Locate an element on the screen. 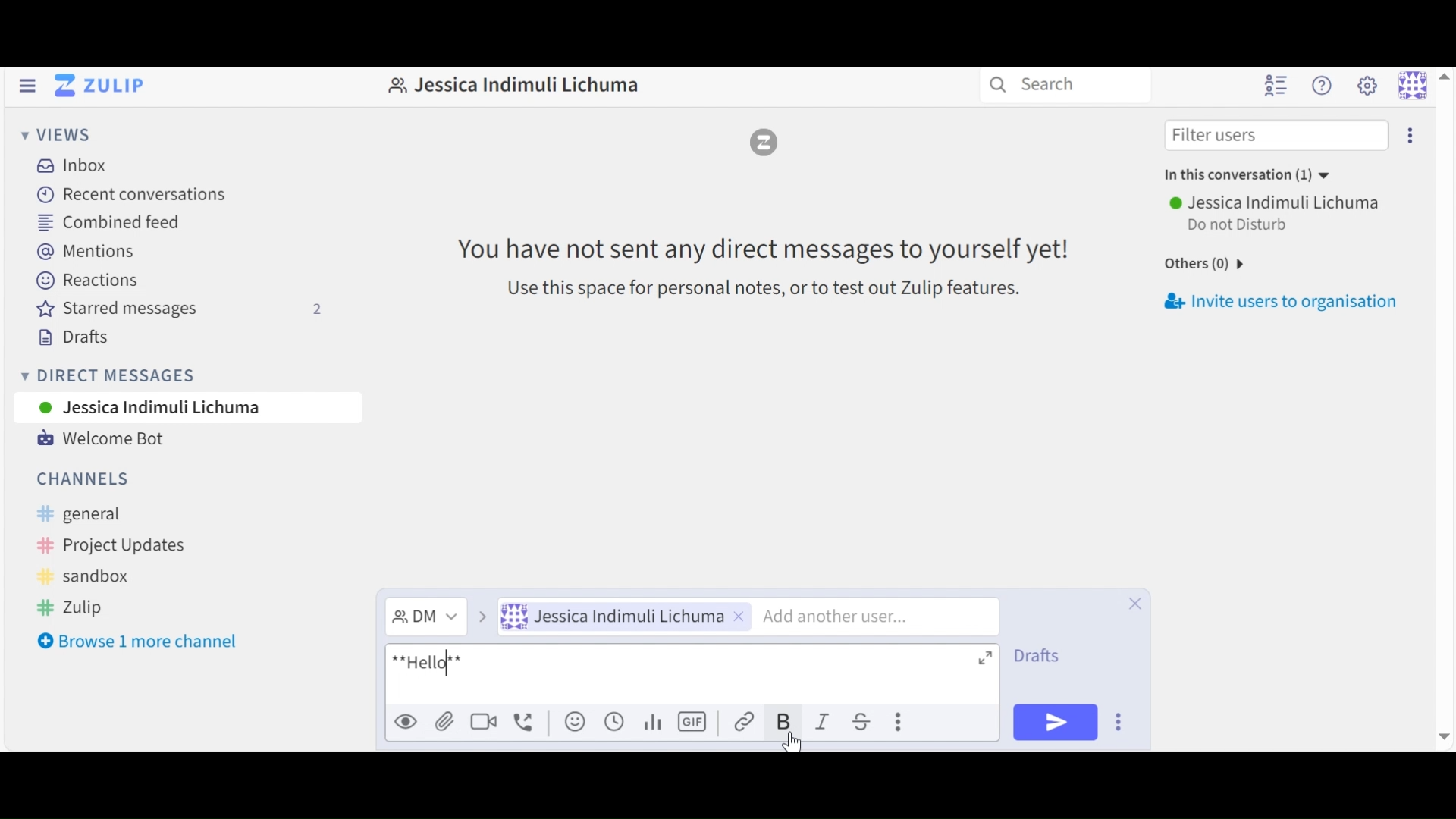  Welcome Bot is located at coordinates (101, 441).